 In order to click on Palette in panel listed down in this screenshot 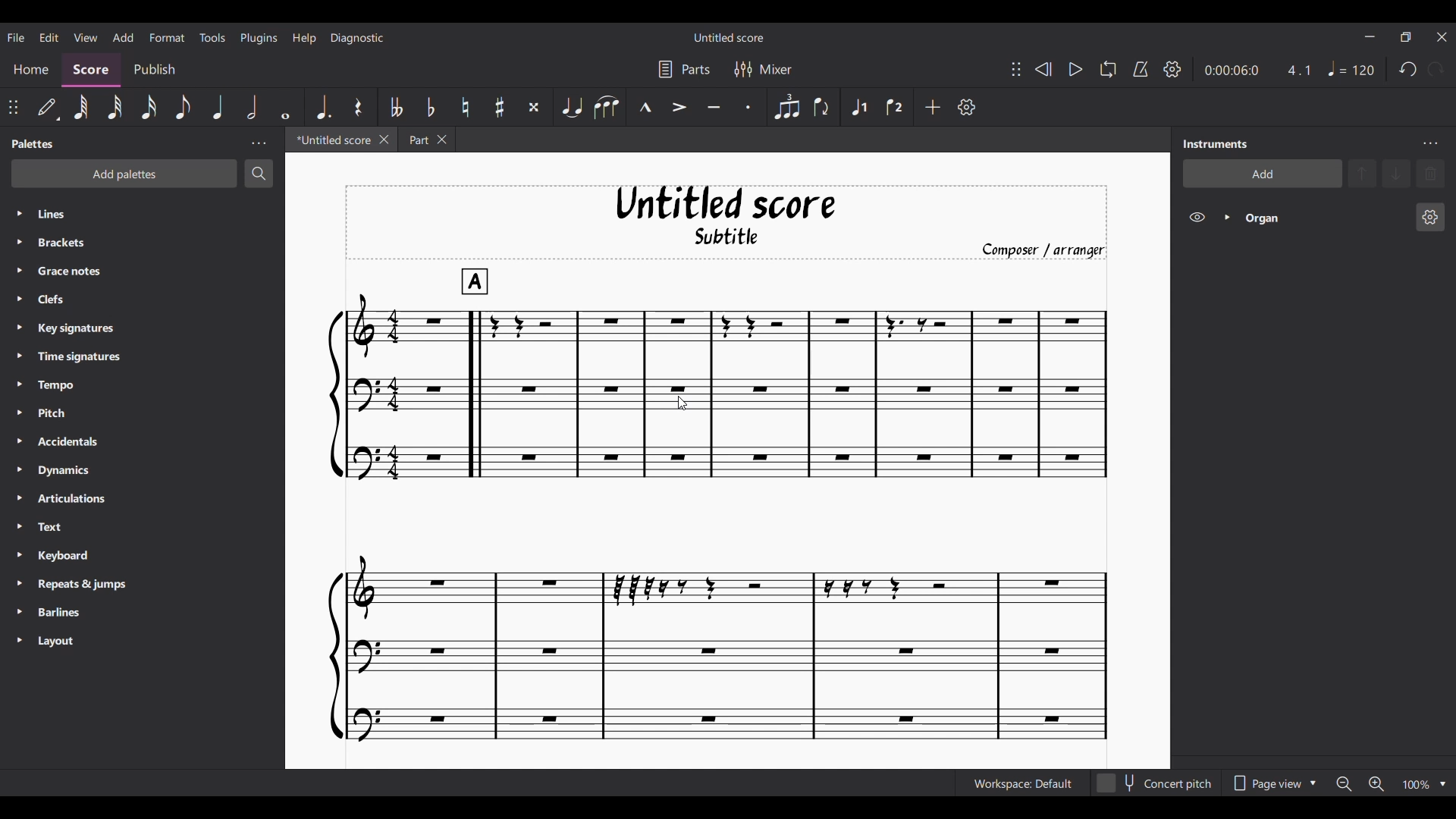, I will do `click(157, 429)`.